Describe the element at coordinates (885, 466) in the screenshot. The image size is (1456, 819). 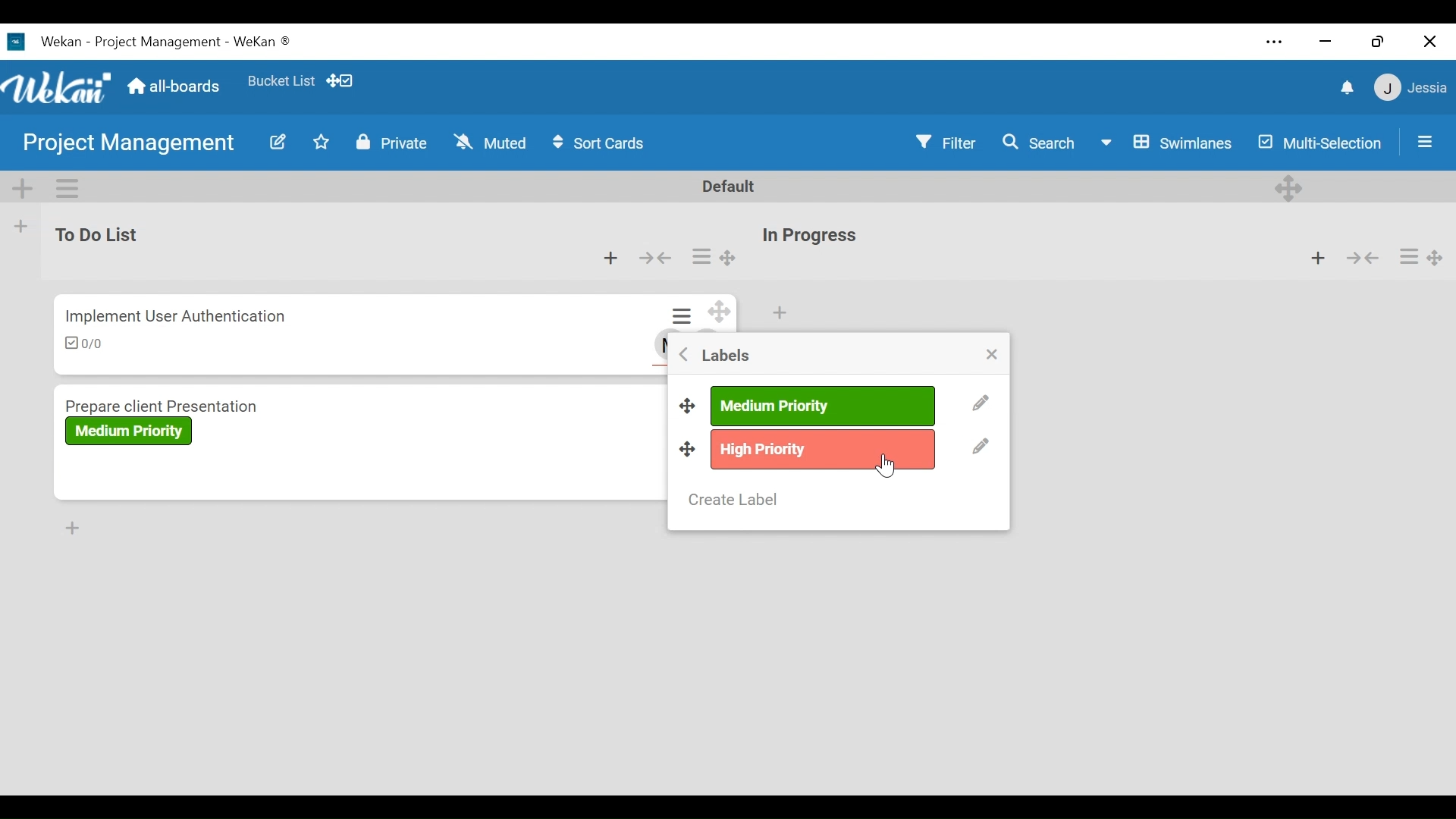
I see `Cursor` at that location.